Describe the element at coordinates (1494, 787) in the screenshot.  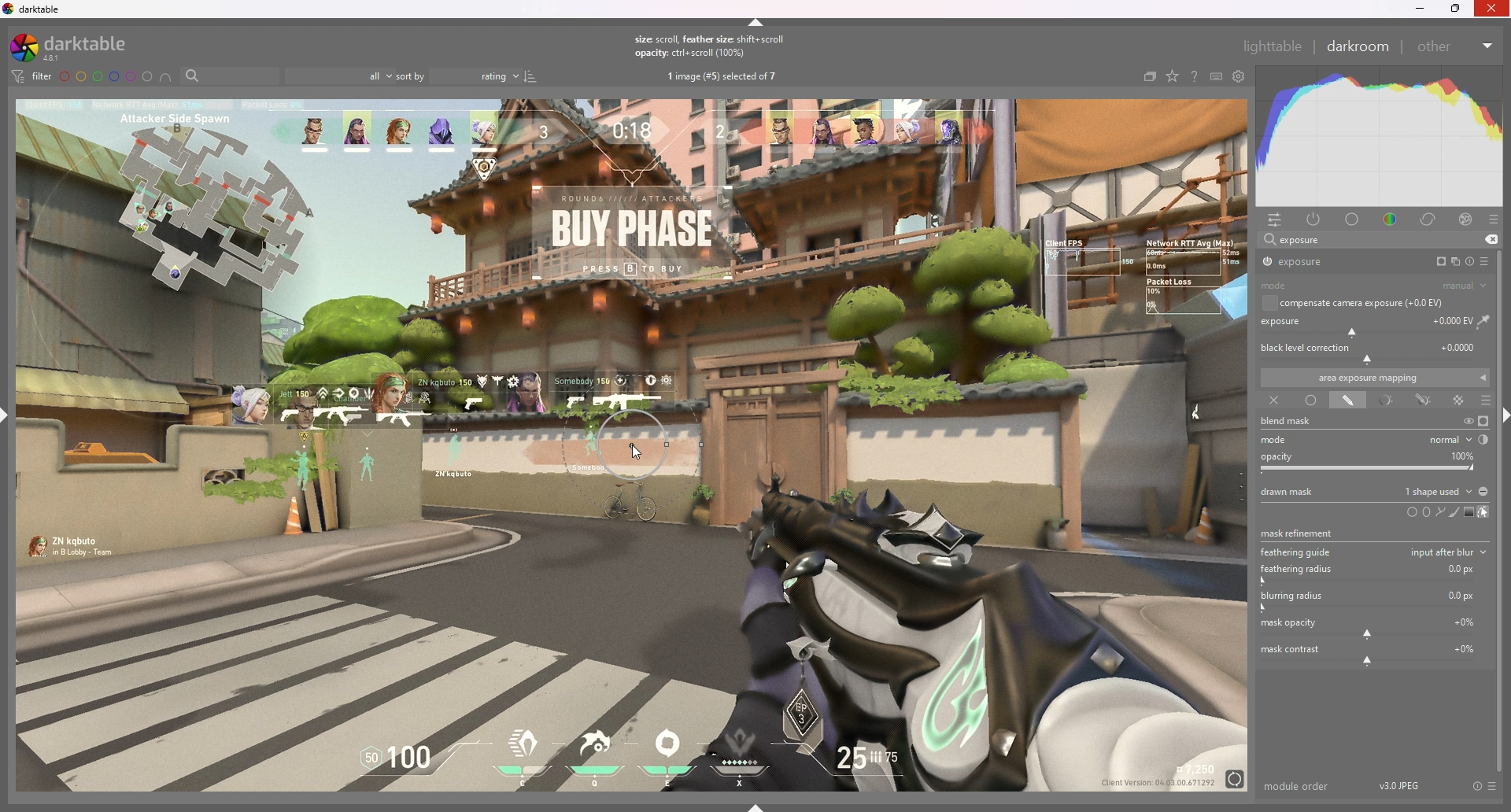
I see `presets` at that location.